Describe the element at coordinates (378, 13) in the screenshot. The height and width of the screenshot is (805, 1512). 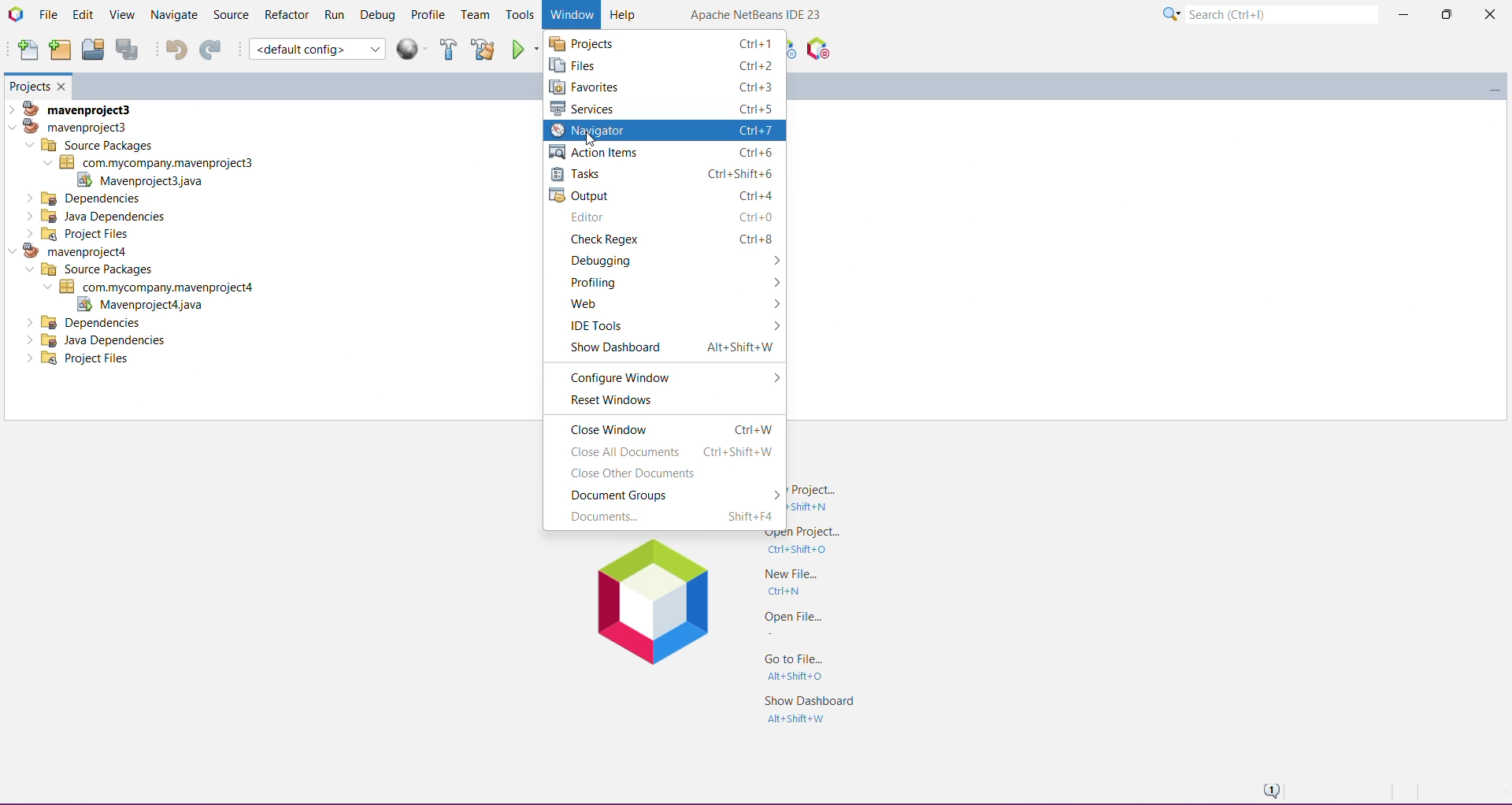
I see `Debug` at that location.